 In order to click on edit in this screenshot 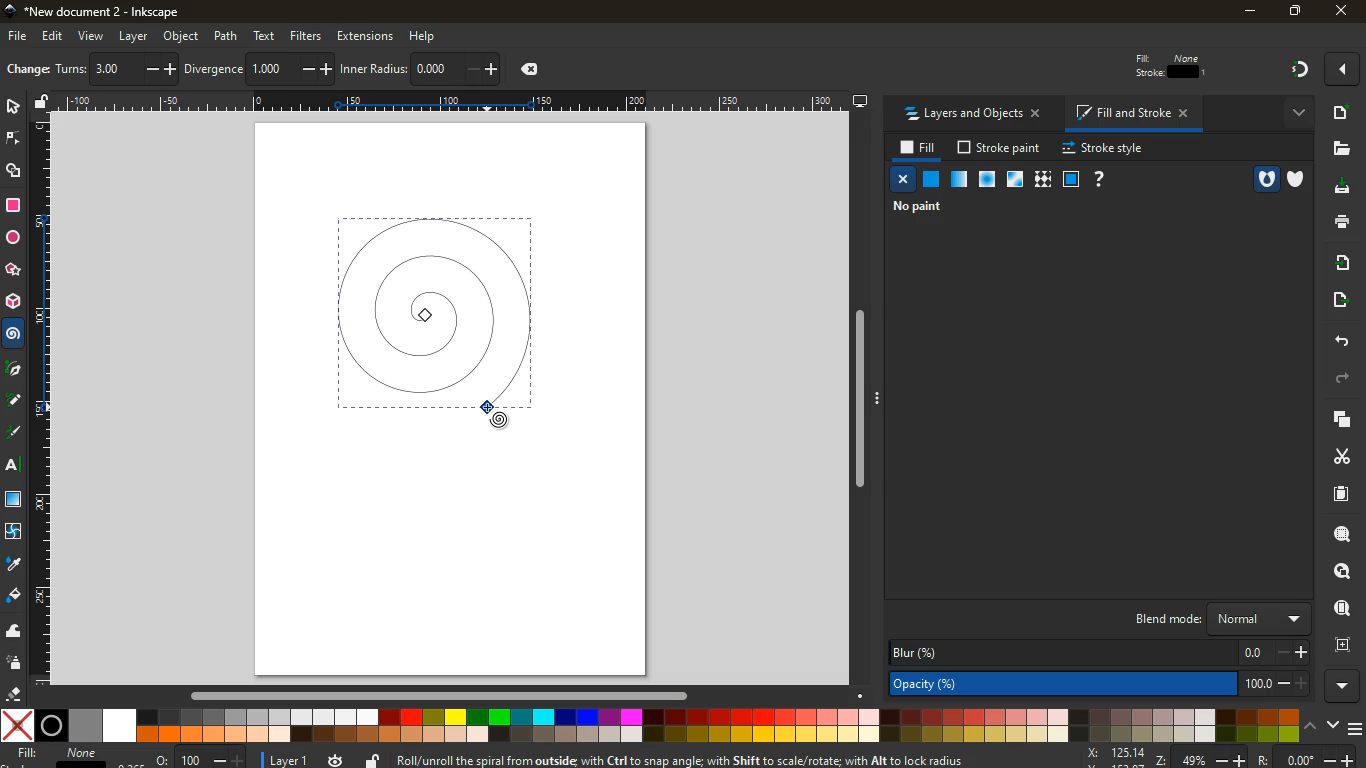, I will do `click(1344, 67)`.